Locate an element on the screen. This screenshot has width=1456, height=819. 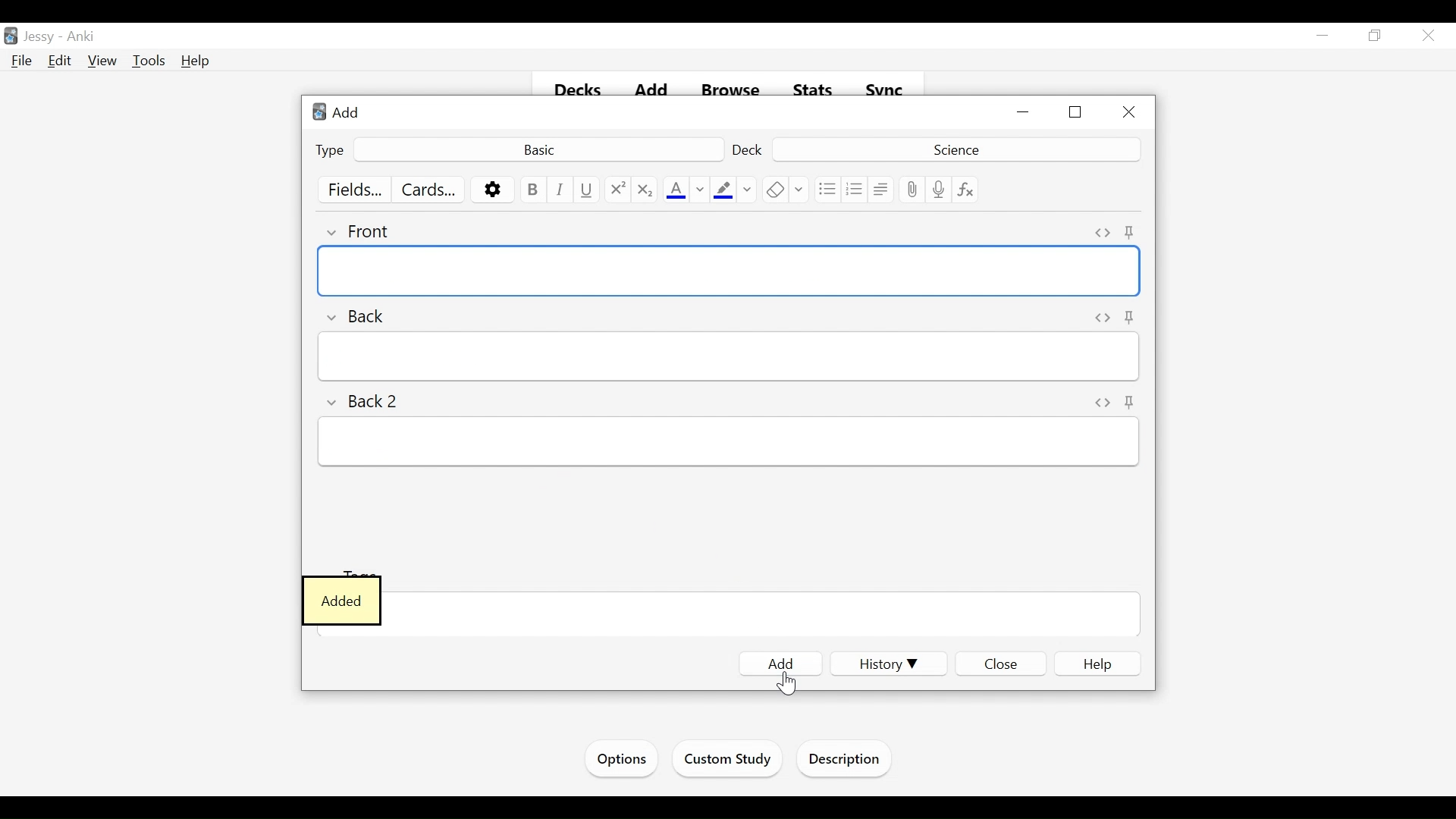
Toggle HTML editor is located at coordinates (1100, 231).